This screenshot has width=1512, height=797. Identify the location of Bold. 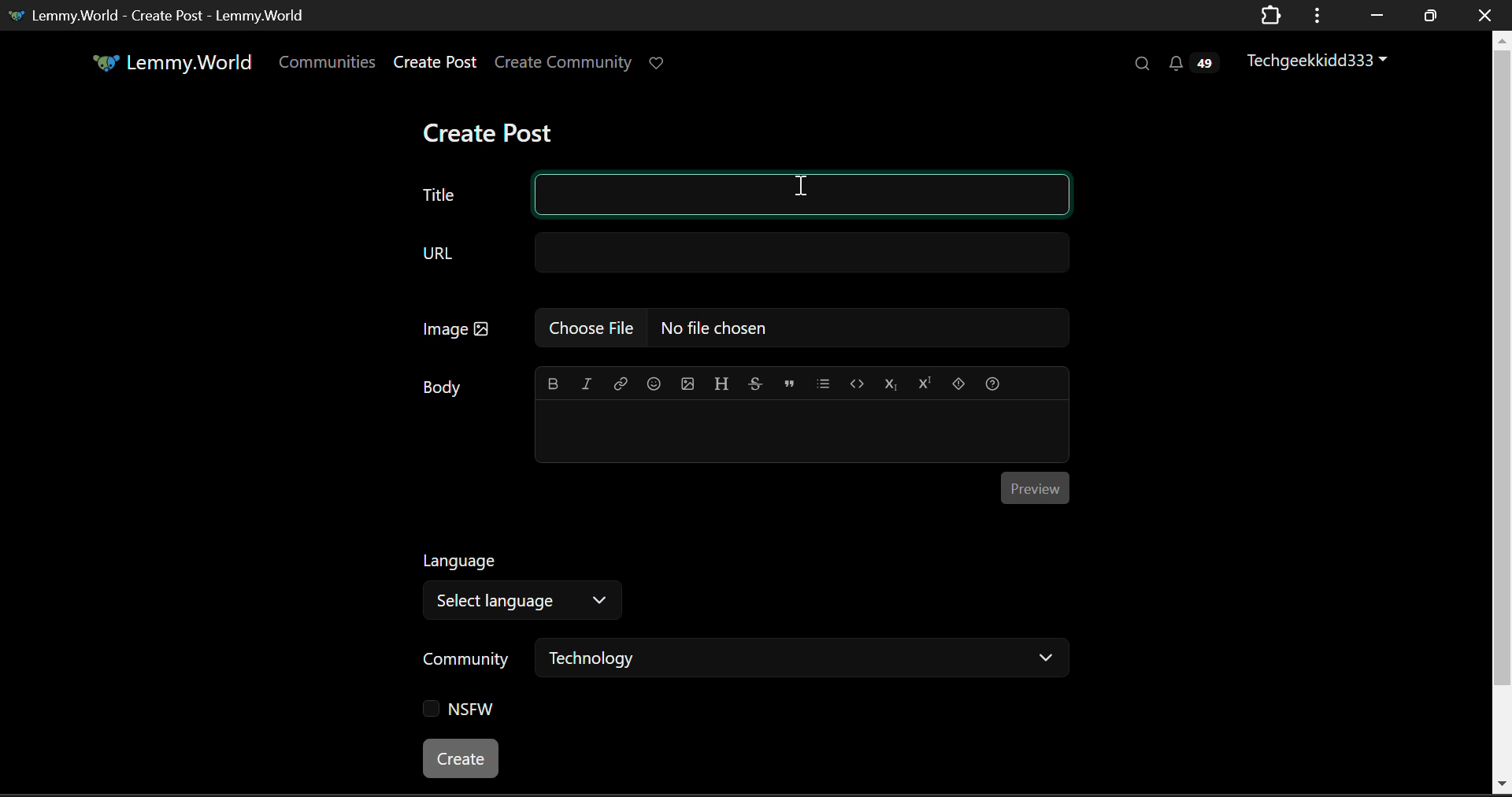
(552, 384).